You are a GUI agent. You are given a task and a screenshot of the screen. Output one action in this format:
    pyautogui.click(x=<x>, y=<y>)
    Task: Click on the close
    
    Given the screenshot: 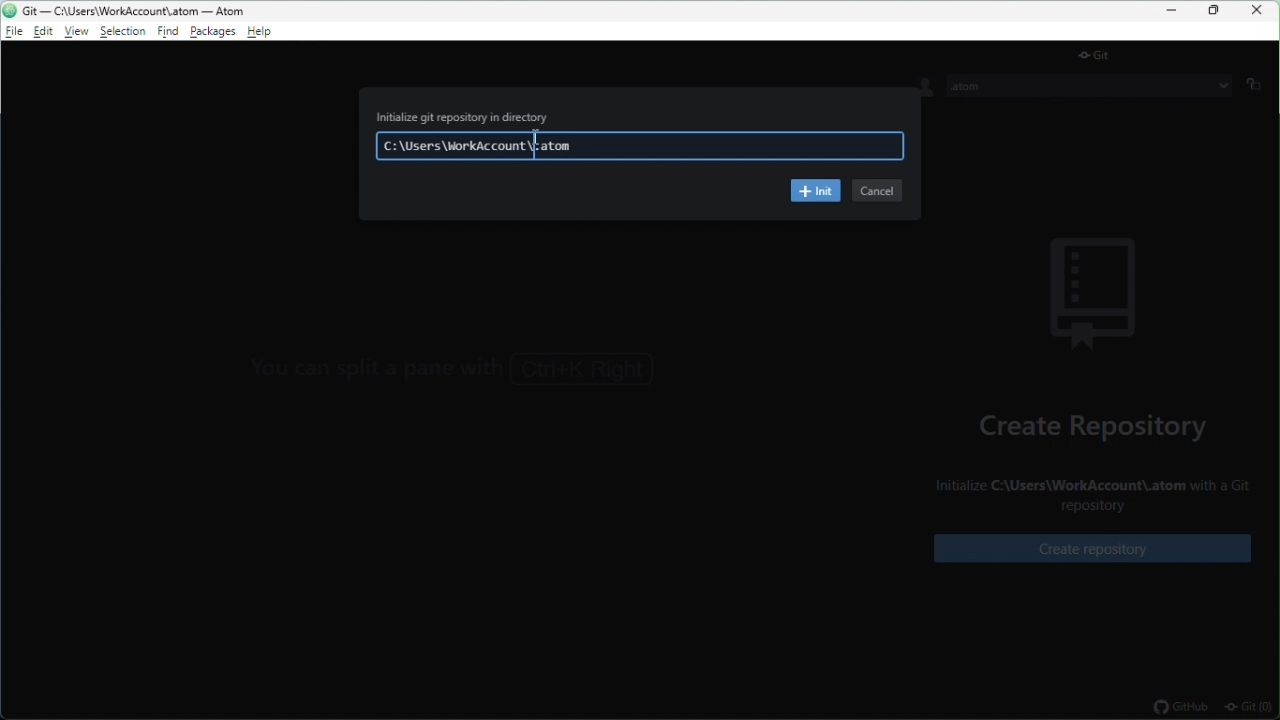 What is the action you would take?
    pyautogui.click(x=1260, y=11)
    